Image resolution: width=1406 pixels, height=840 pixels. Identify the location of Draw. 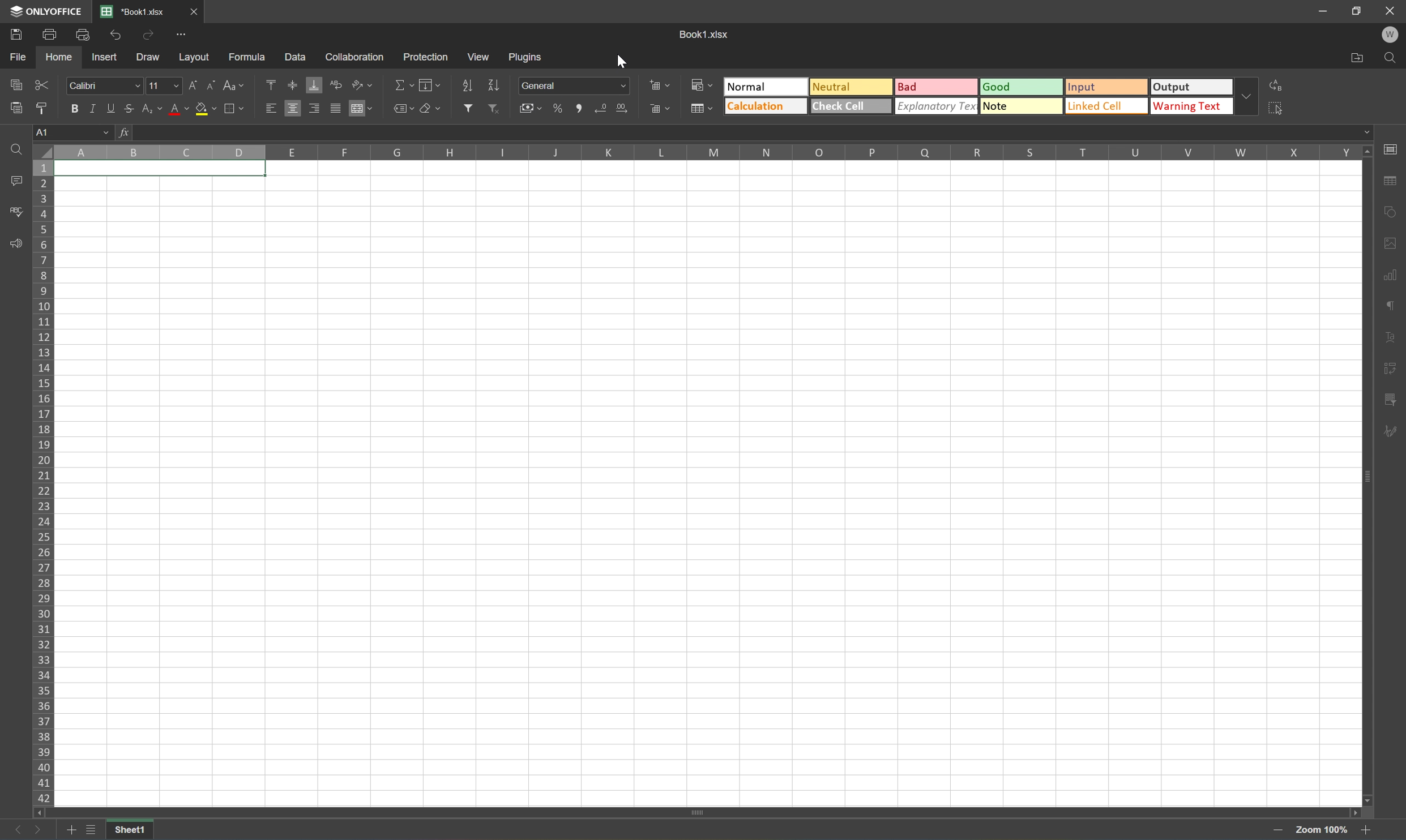
(149, 59).